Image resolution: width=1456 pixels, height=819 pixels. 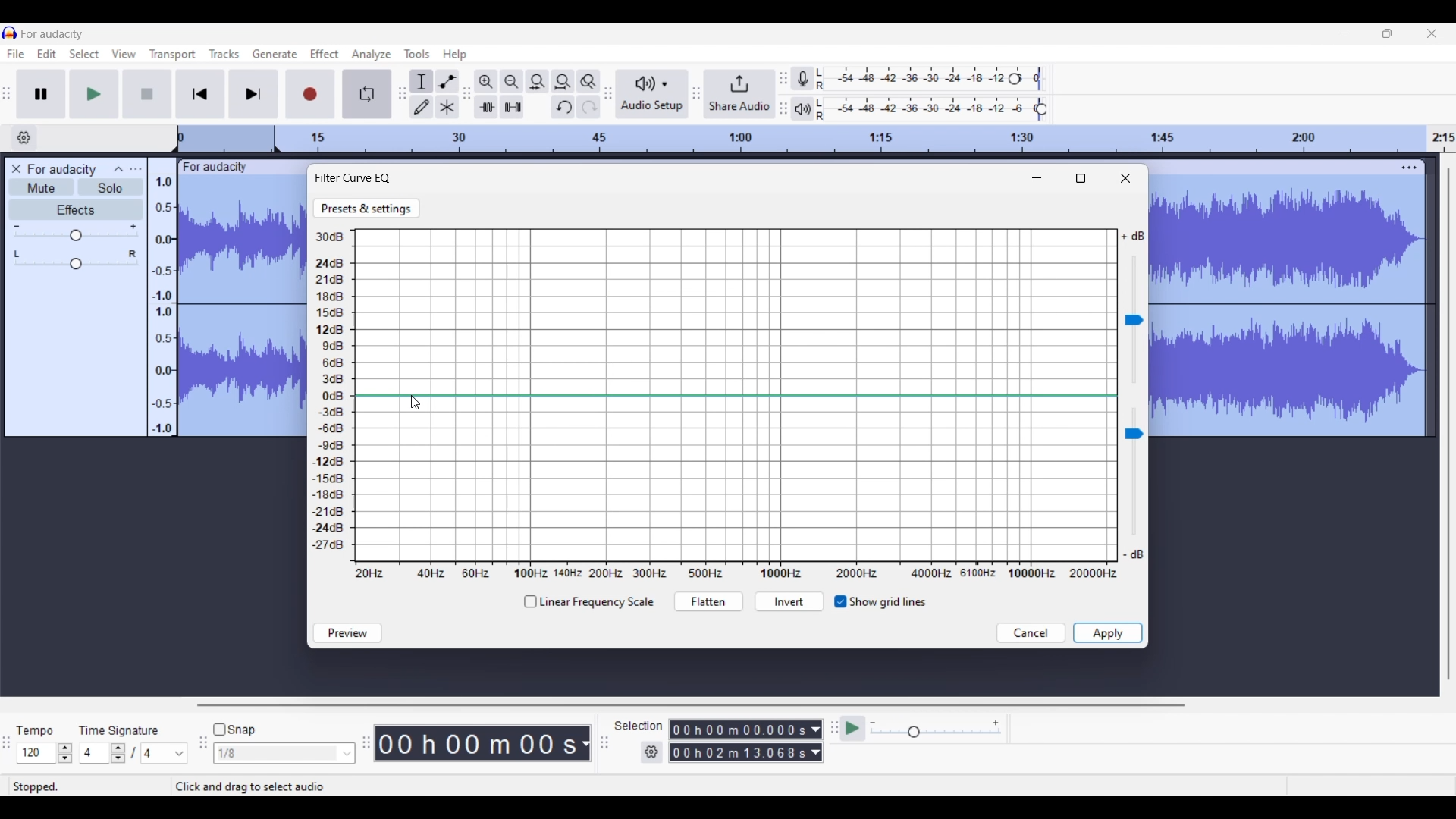 What do you see at coordinates (41, 187) in the screenshot?
I see `Mute` at bounding box center [41, 187].